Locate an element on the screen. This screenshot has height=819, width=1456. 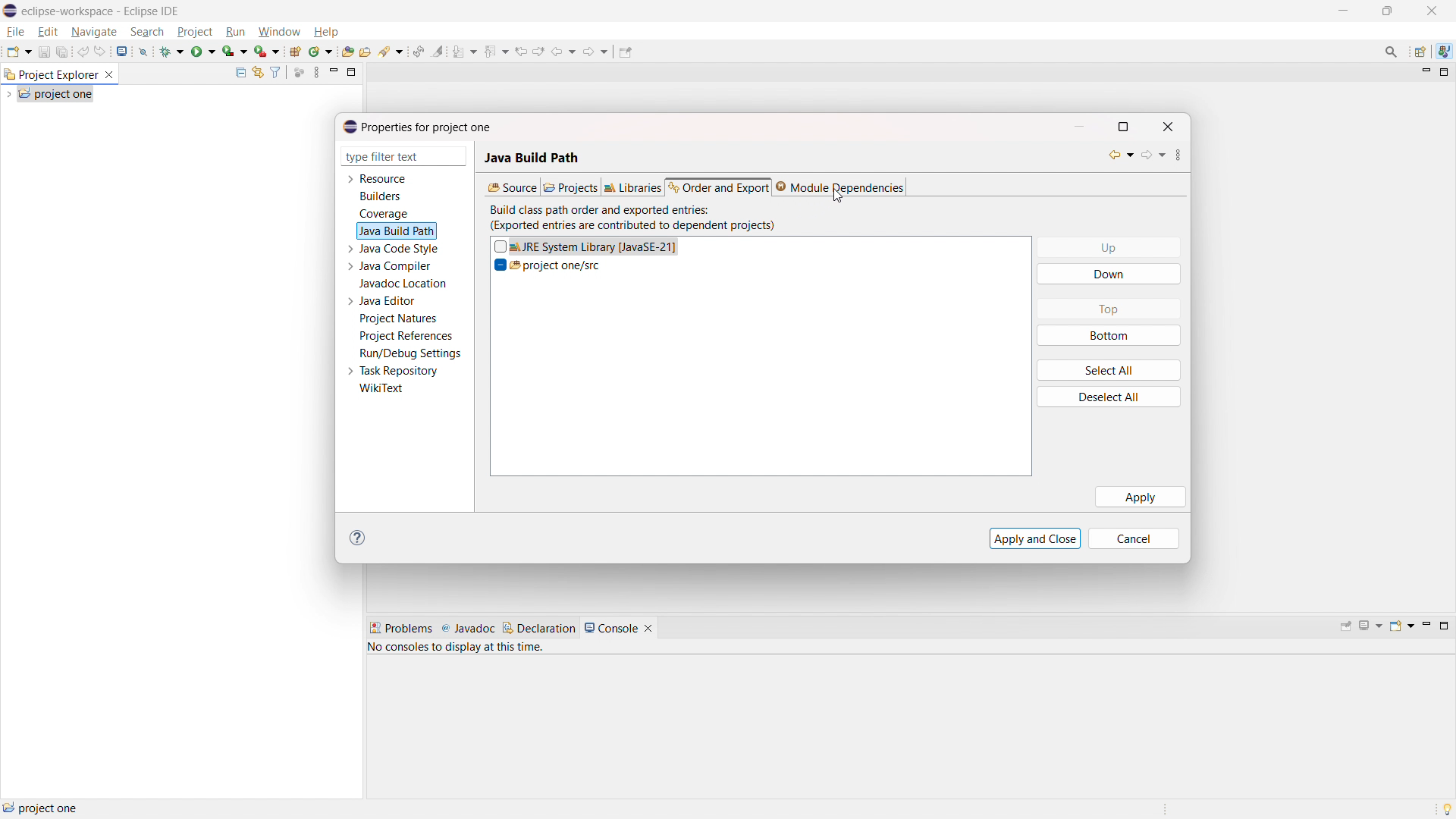
type filter text is located at coordinates (394, 157).